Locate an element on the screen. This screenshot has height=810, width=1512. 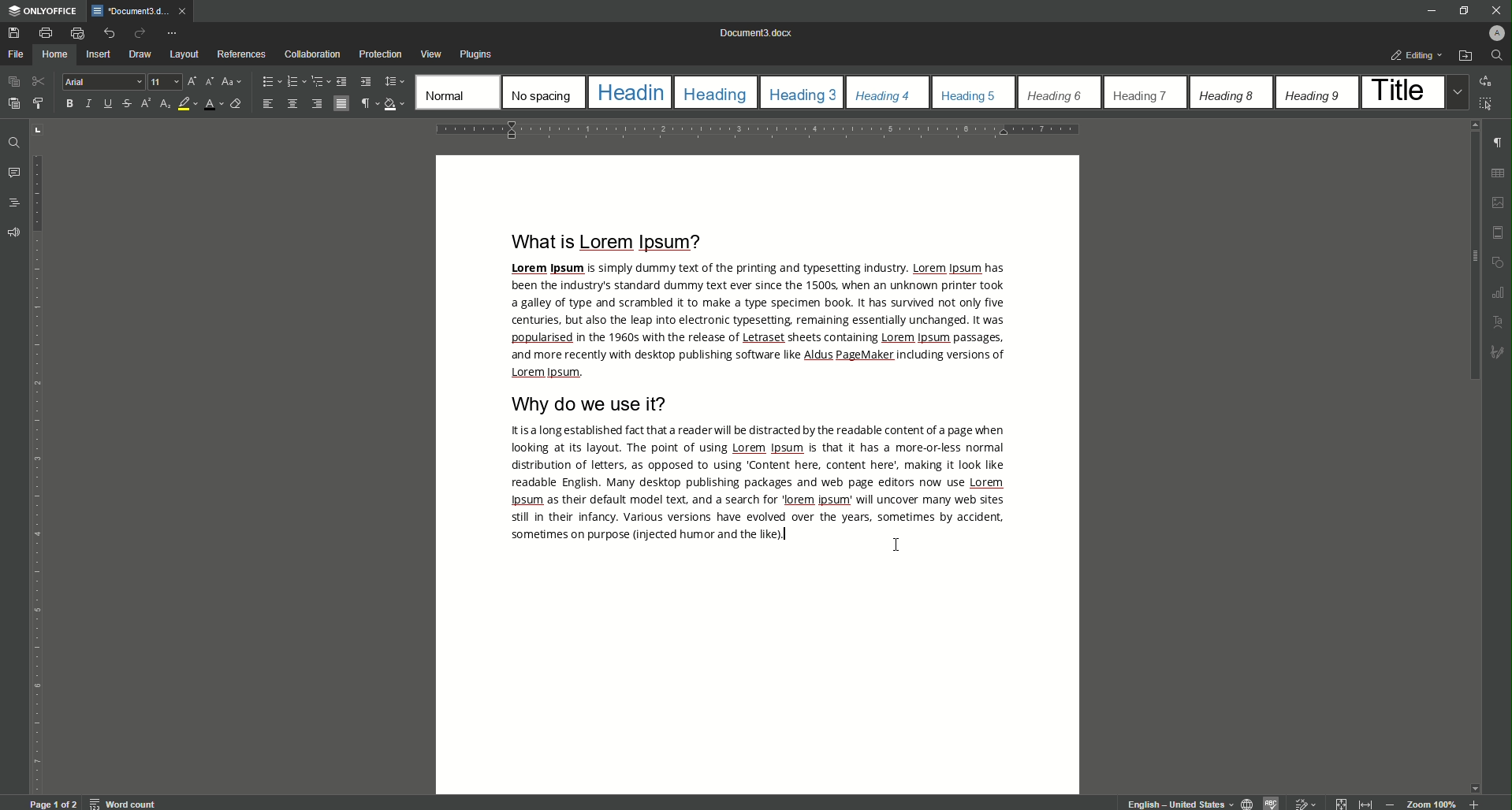
Italics is located at coordinates (89, 105).